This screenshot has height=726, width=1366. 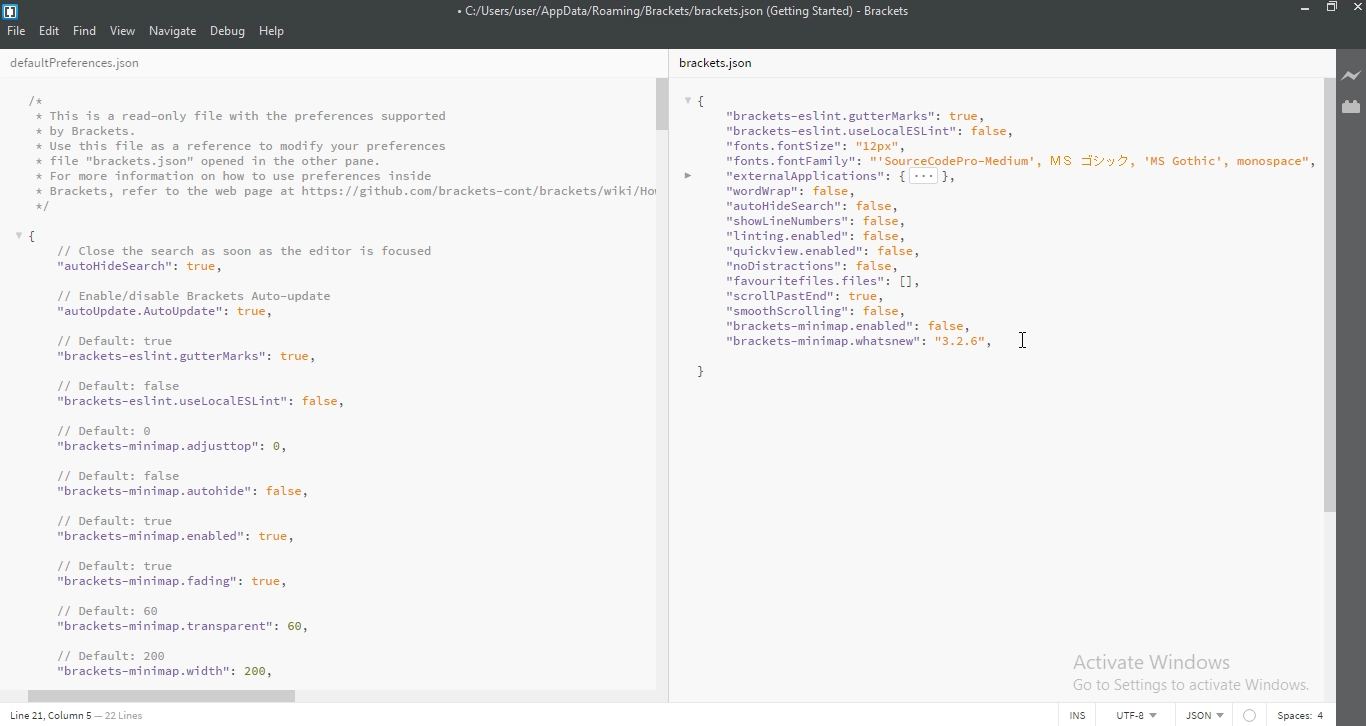 What do you see at coordinates (85, 30) in the screenshot?
I see `Find` at bounding box center [85, 30].